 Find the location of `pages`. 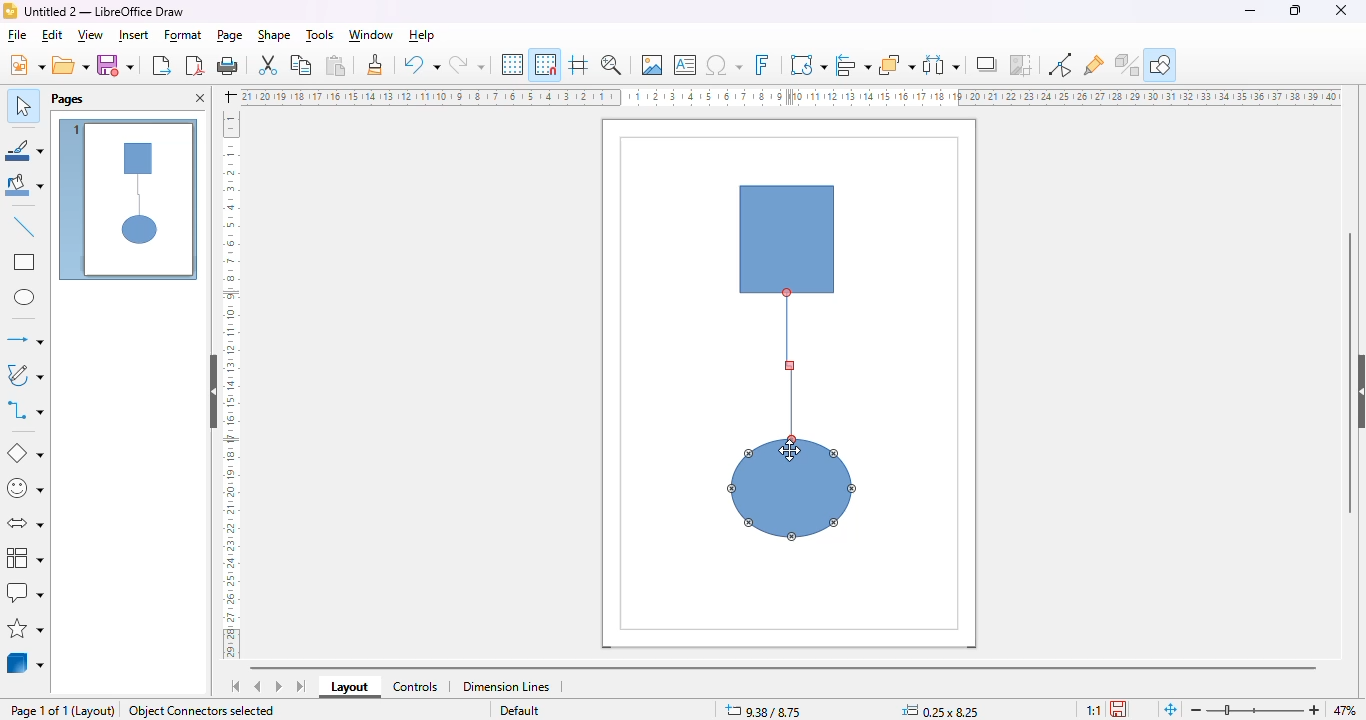

pages is located at coordinates (67, 98).